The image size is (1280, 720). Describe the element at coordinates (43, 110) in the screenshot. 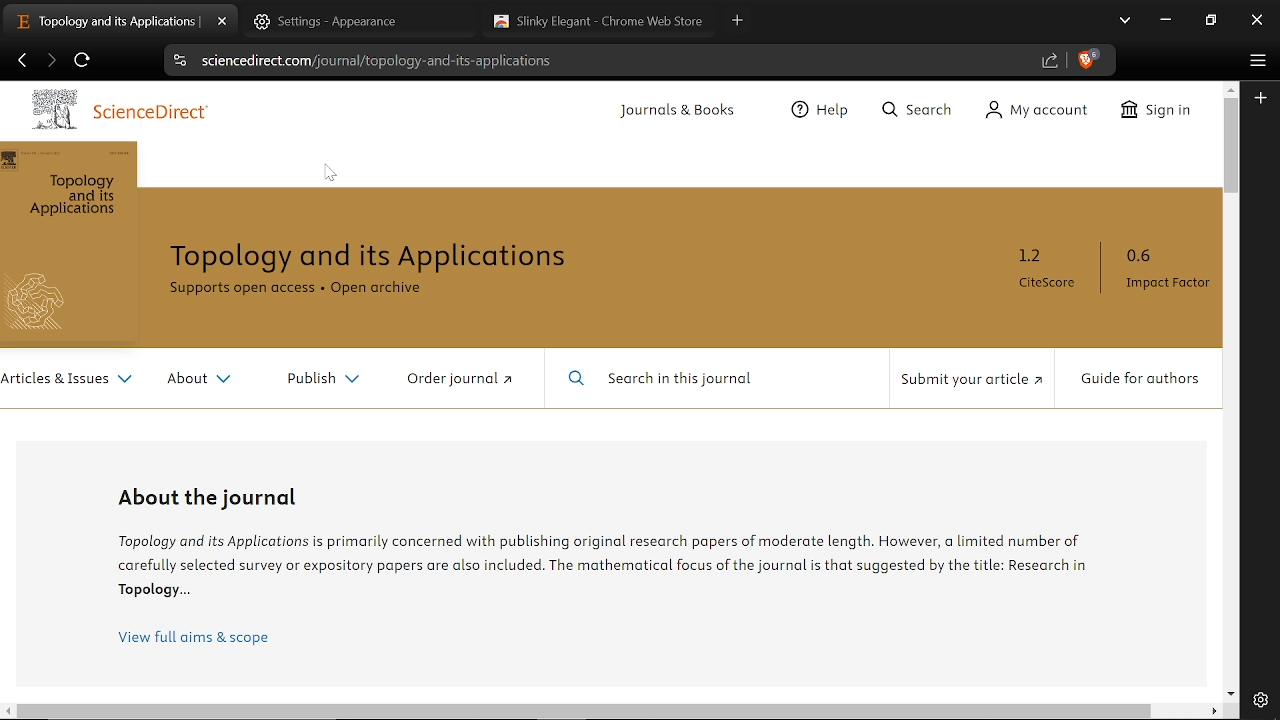

I see `Logo` at that location.